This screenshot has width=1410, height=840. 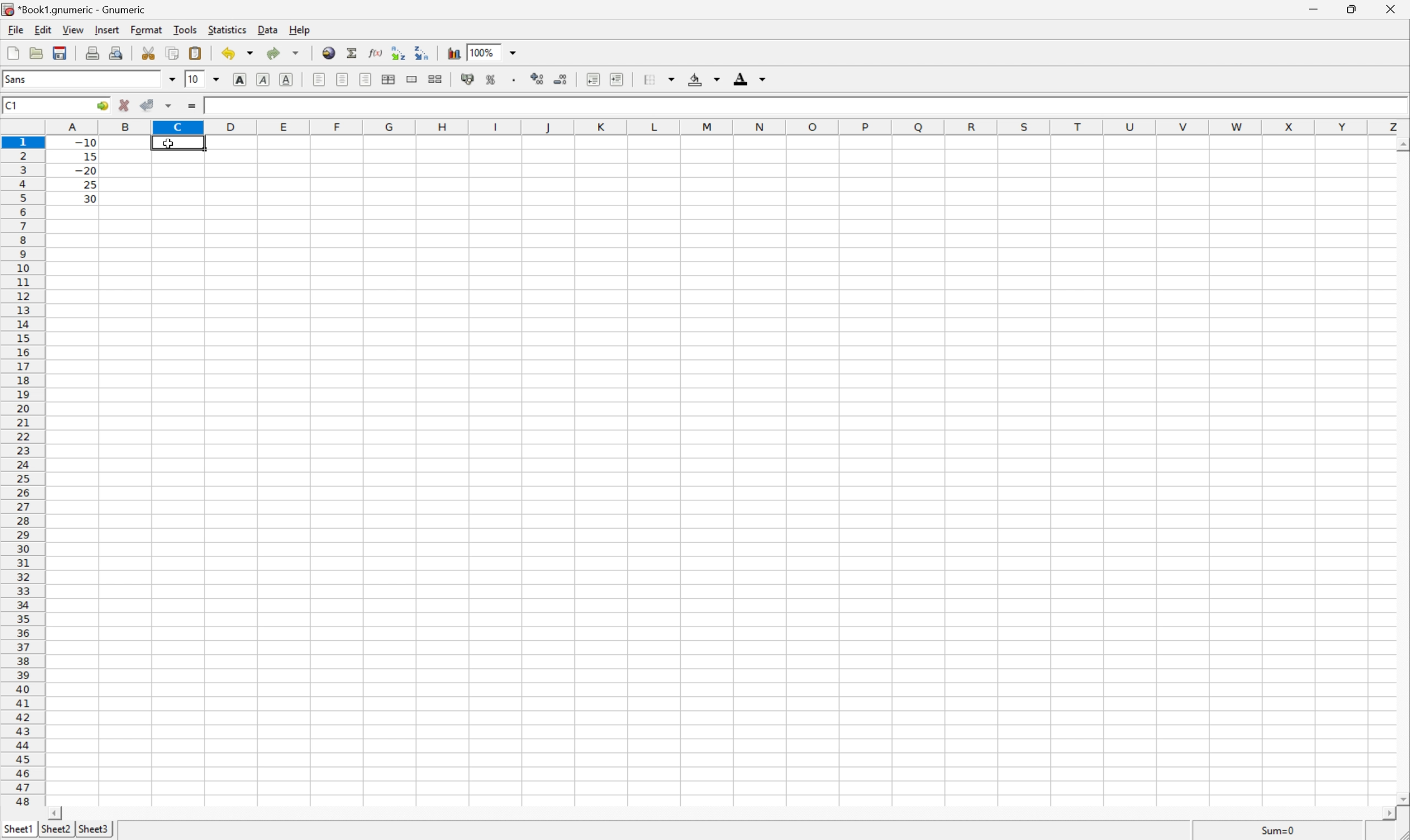 What do you see at coordinates (1401, 144) in the screenshot?
I see `Scroll up` at bounding box center [1401, 144].